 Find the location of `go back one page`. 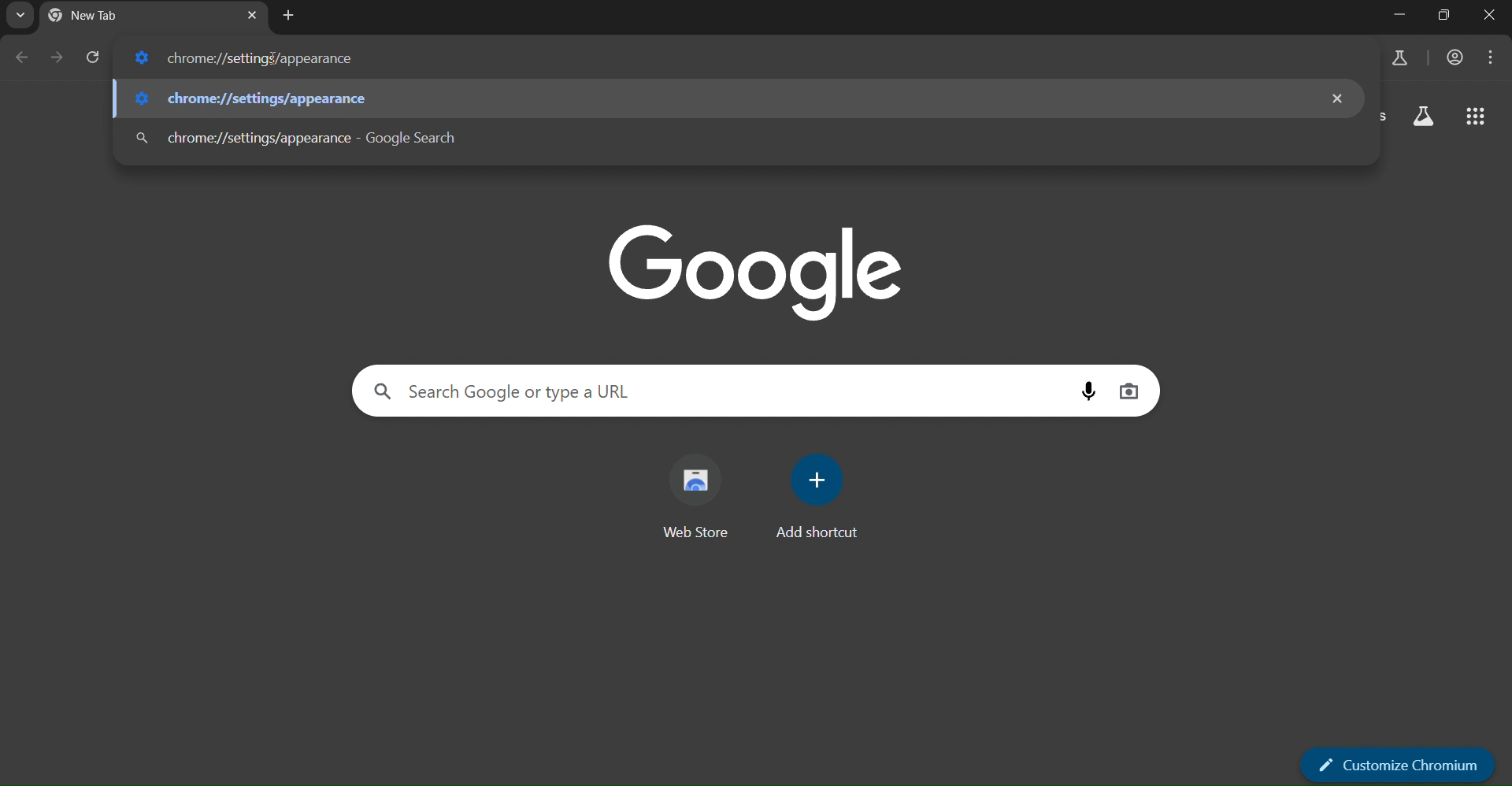

go back one page is located at coordinates (18, 58).